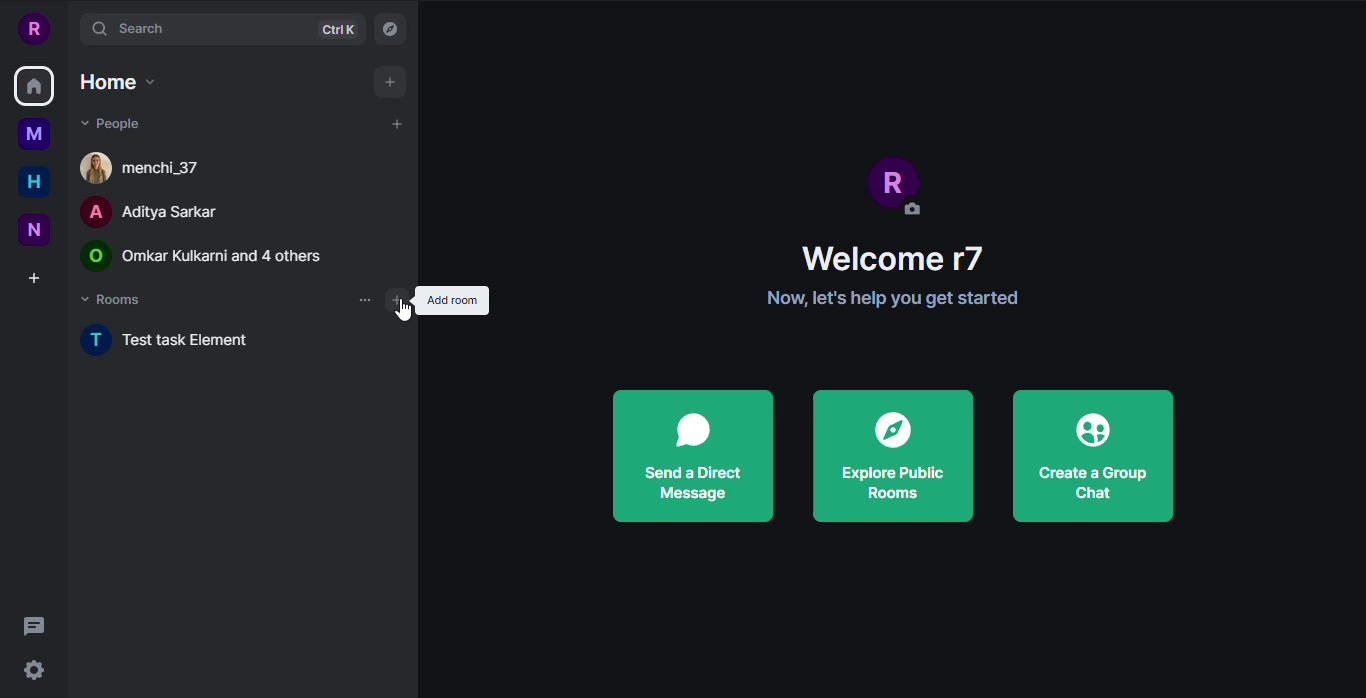 This screenshot has width=1366, height=698. Describe the element at coordinates (364, 301) in the screenshot. I see `more` at that location.